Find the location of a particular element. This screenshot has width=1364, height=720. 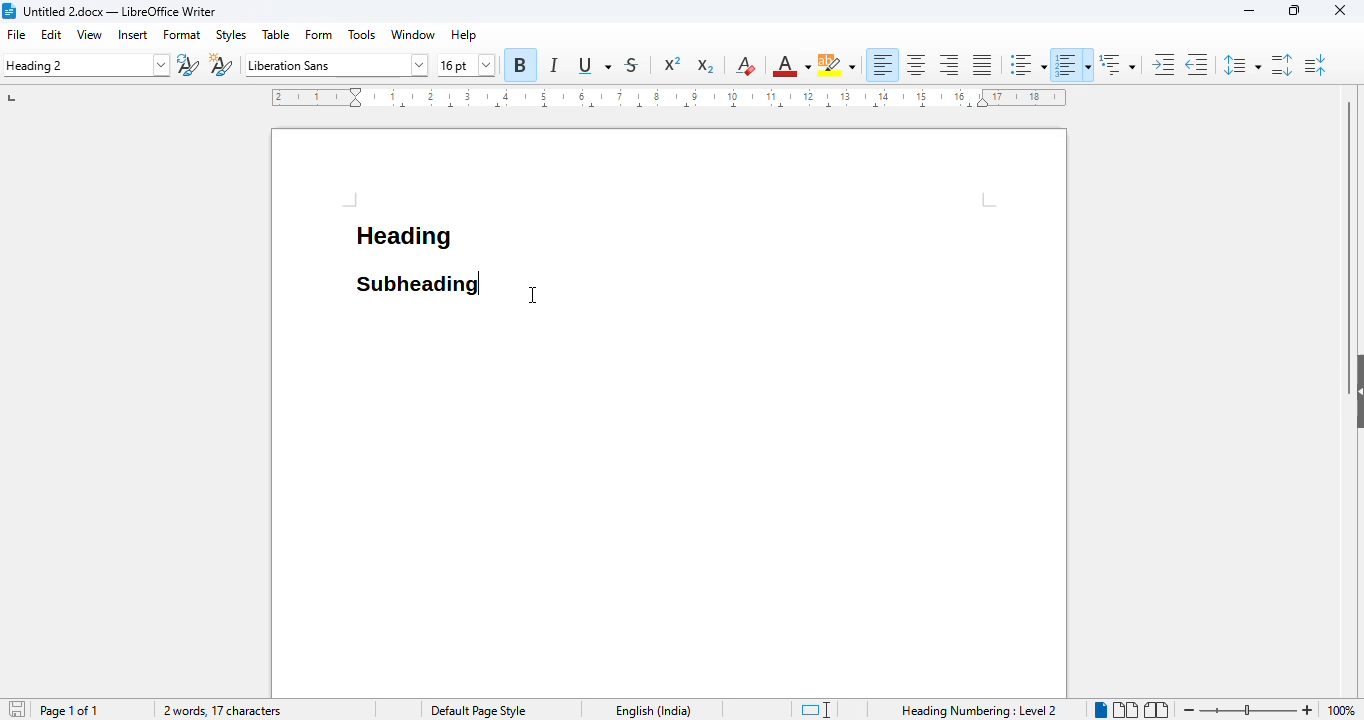

hotkey (Ctrl+Shift+S) pressed is located at coordinates (482, 283).